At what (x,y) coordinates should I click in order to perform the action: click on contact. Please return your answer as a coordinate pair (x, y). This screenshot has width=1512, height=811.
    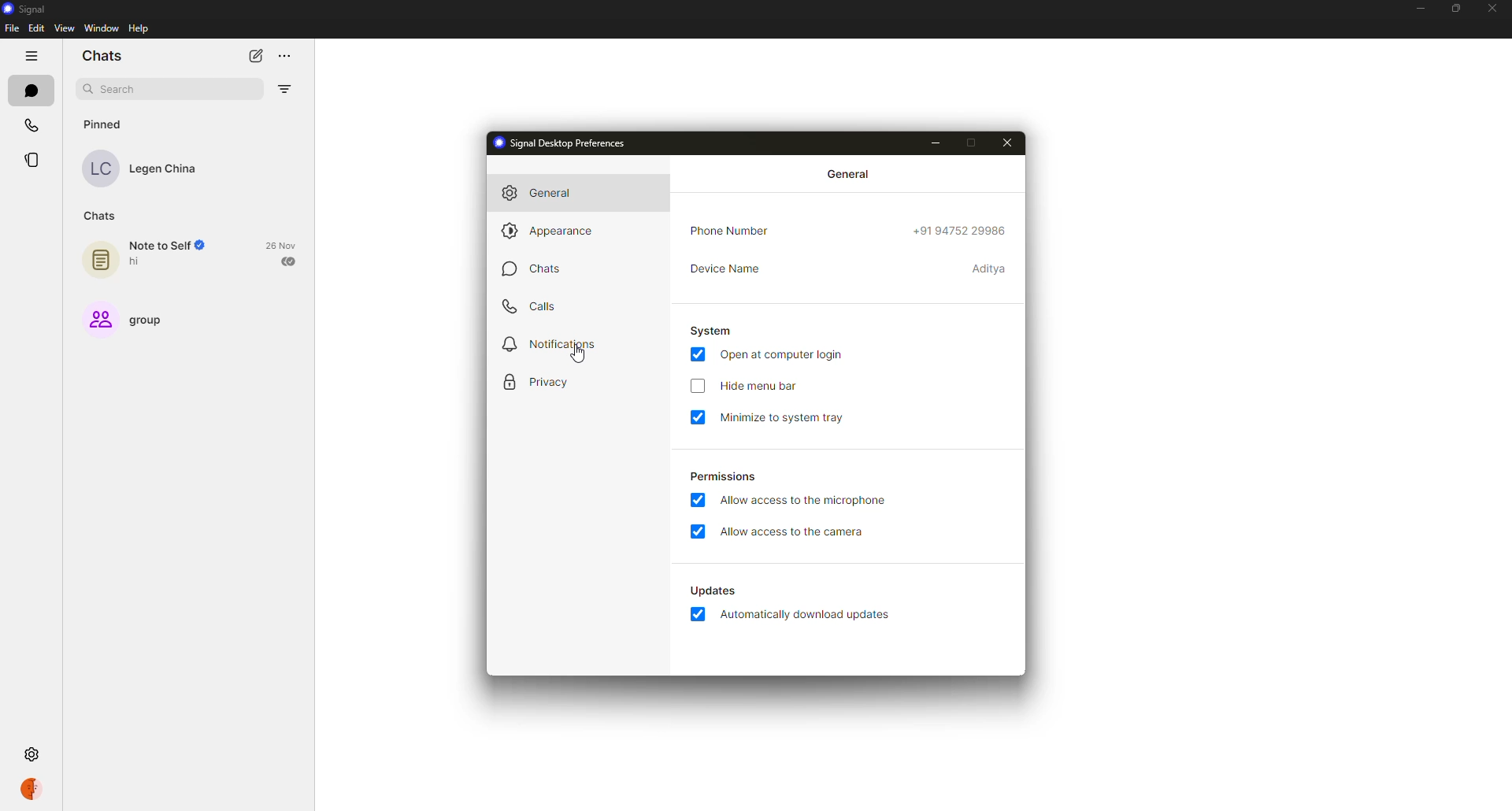
    Looking at the image, I should click on (150, 168).